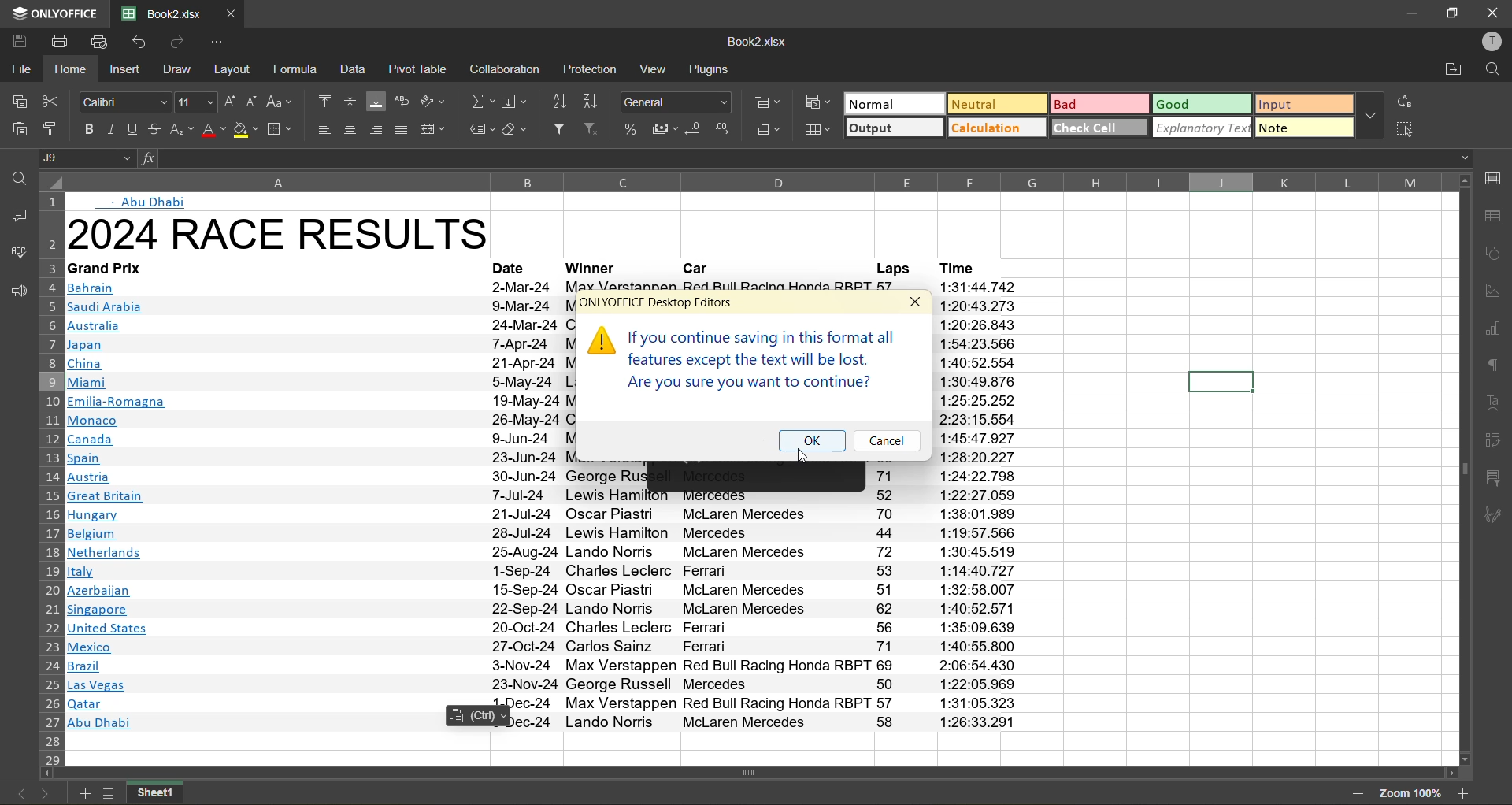  Describe the element at coordinates (772, 130) in the screenshot. I see `delete cells` at that location.